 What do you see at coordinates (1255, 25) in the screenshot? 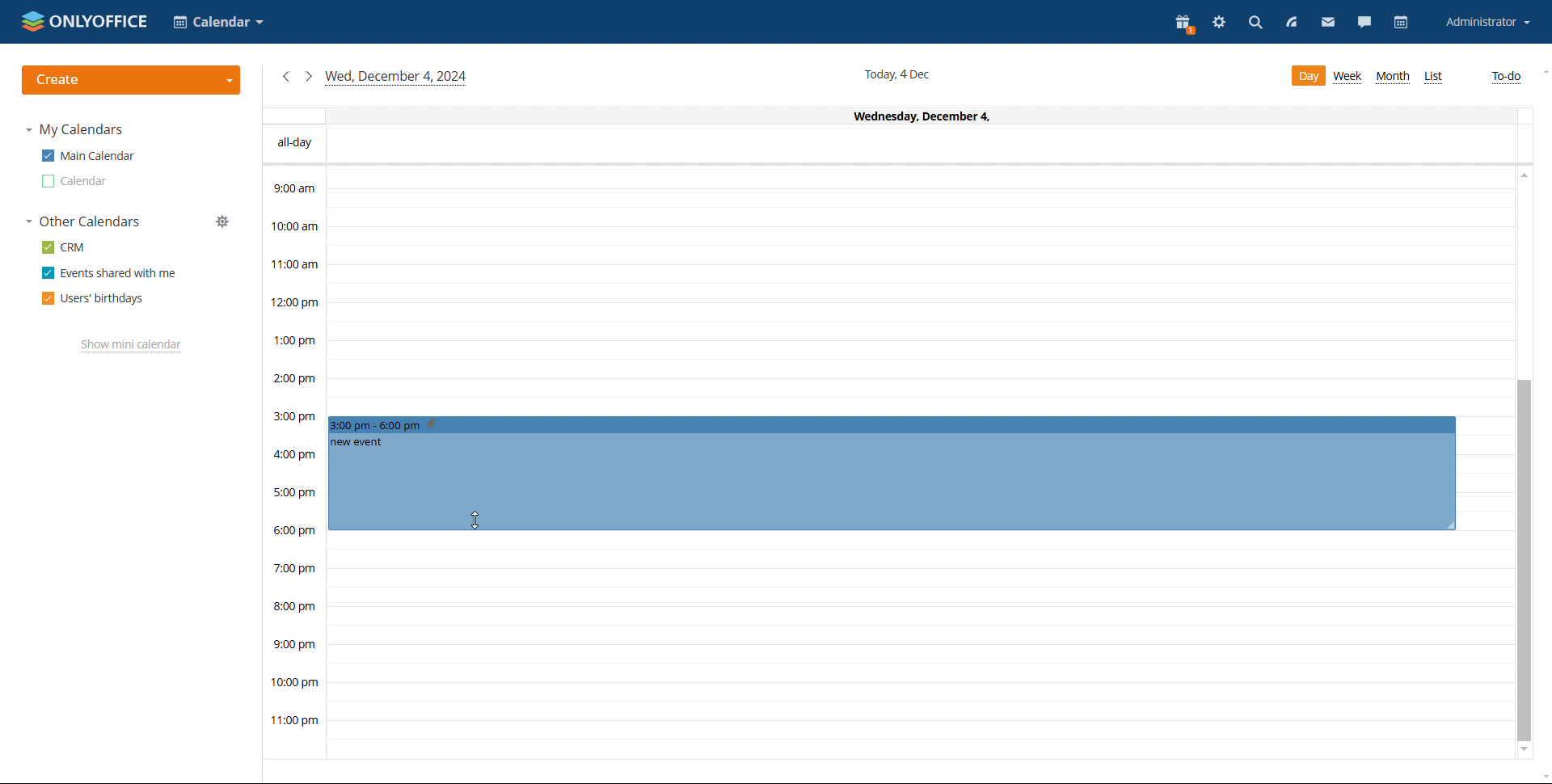
I see `search` at bounding box center [1255, 25].